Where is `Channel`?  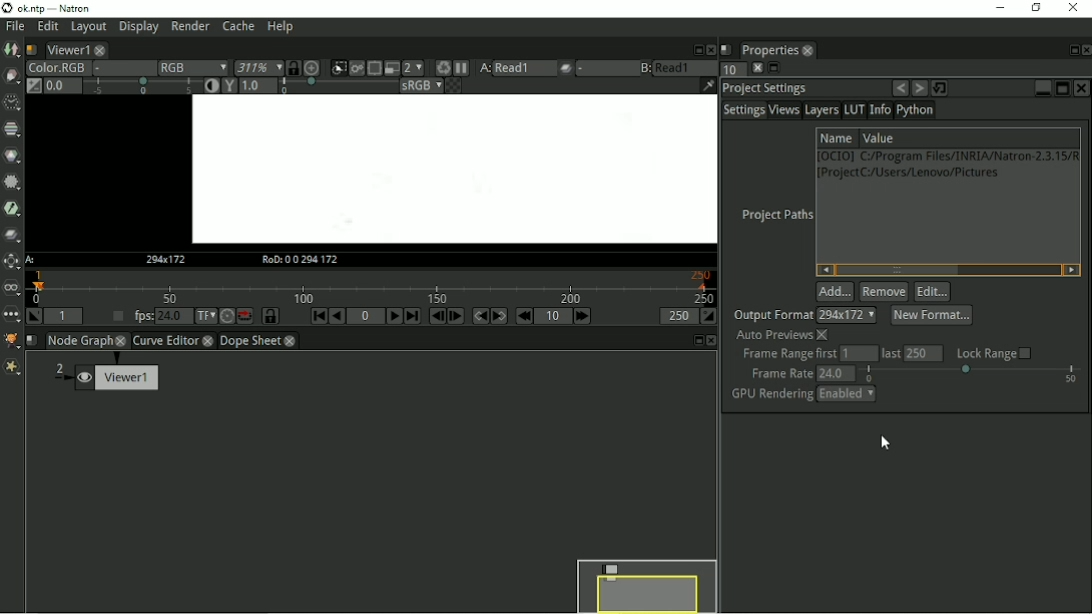 Channel is located at coordinates (12, 130).